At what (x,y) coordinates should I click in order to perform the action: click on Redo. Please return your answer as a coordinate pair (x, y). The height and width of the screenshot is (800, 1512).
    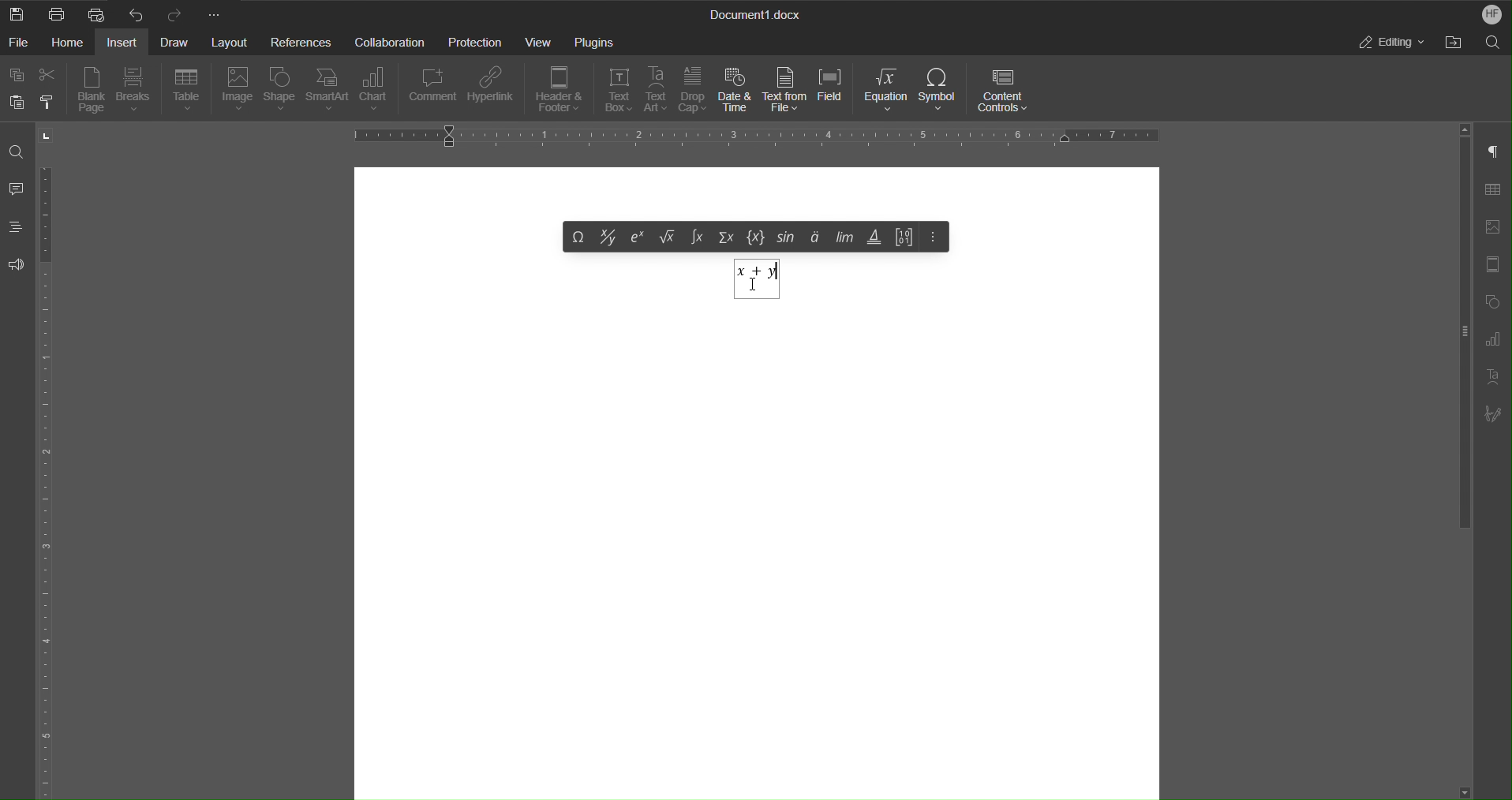
    Looking at the image, I should click on (176, 13).